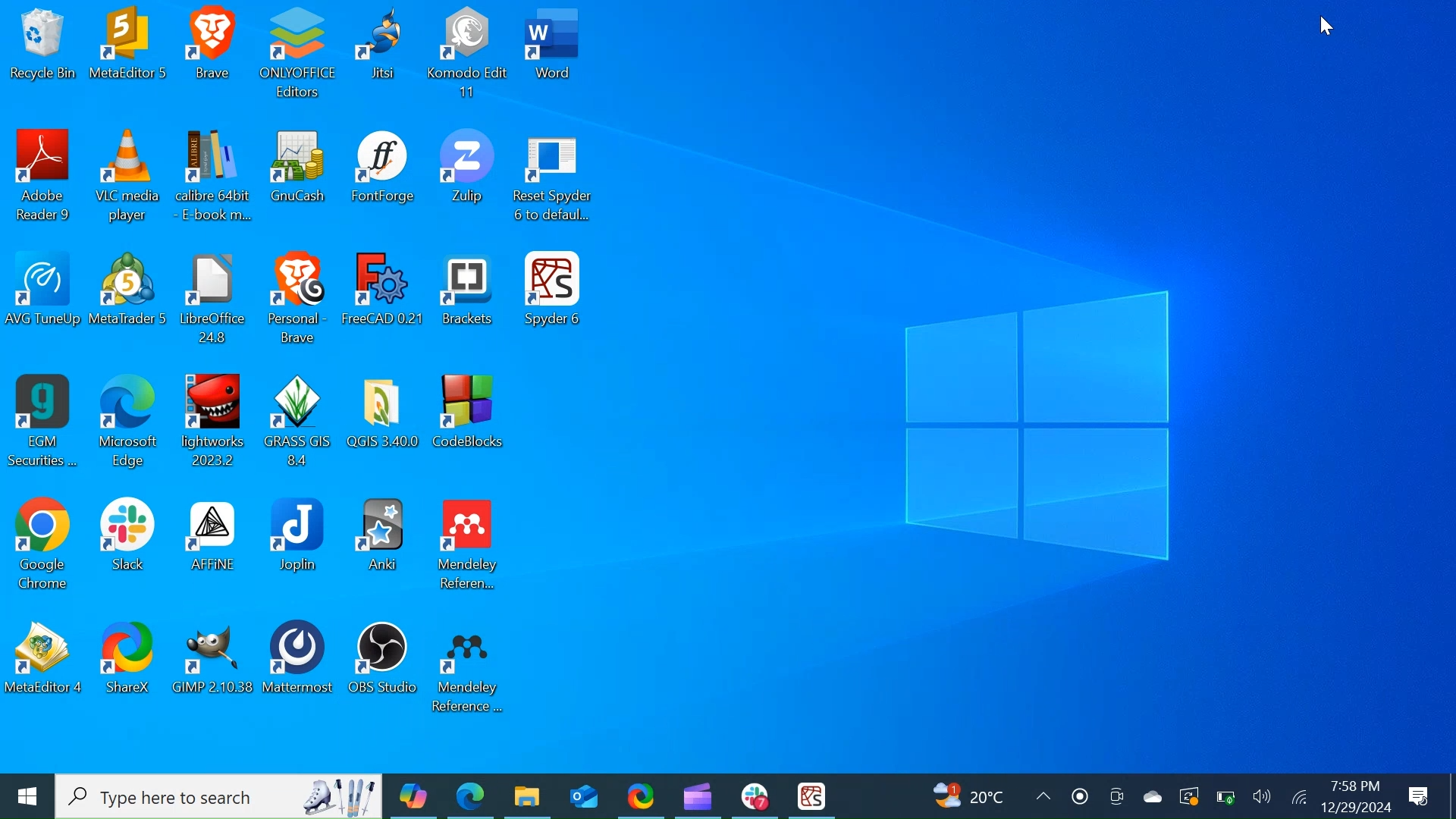  Describe the element at coordinates (383, 421) in the screenshot. I see `Folder ` at that location.